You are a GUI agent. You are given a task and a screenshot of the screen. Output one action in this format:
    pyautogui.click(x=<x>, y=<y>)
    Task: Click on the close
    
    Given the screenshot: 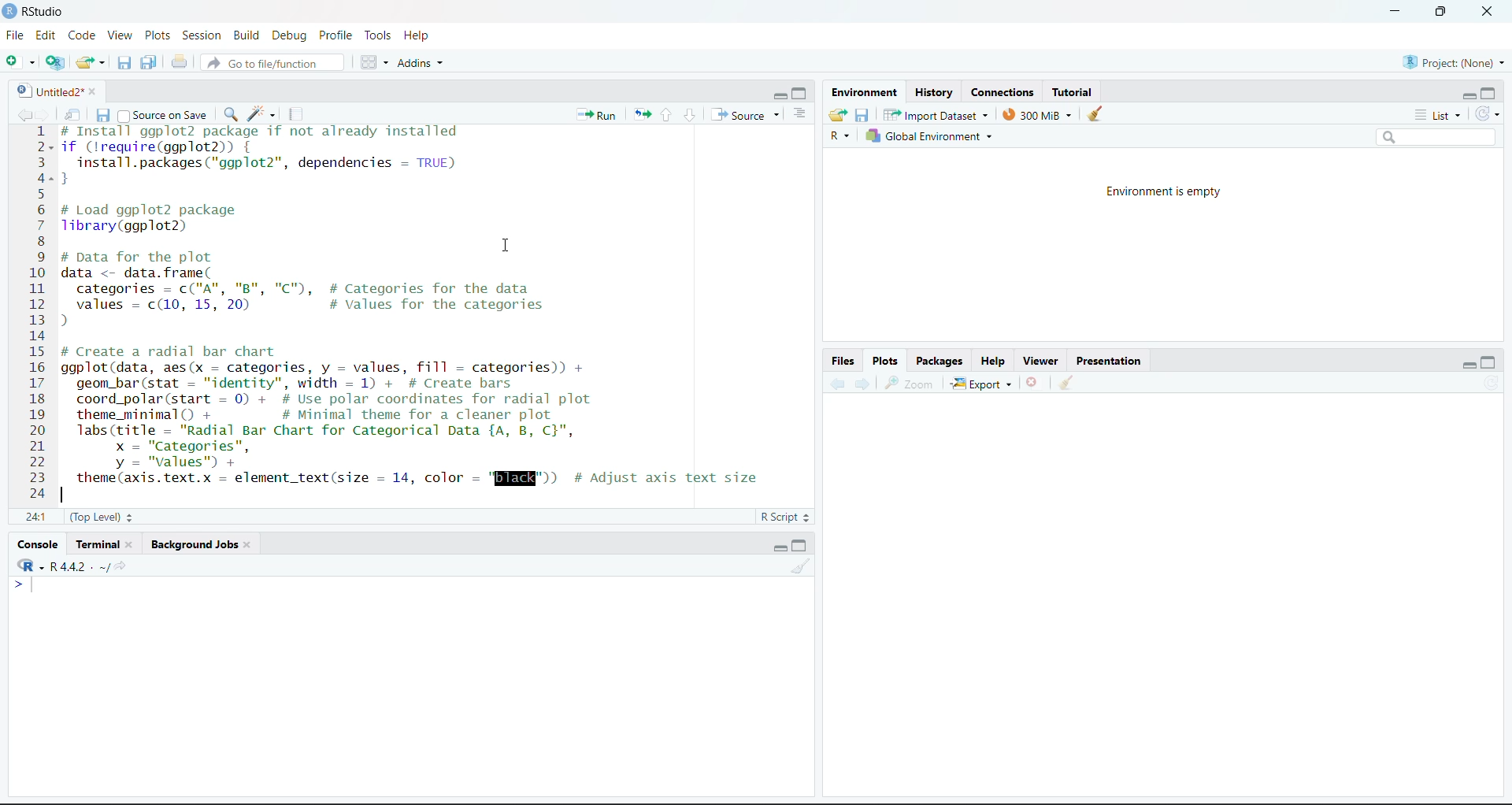 What is the action you would take?
    pyautogui.click(x=1487, y=13)
    